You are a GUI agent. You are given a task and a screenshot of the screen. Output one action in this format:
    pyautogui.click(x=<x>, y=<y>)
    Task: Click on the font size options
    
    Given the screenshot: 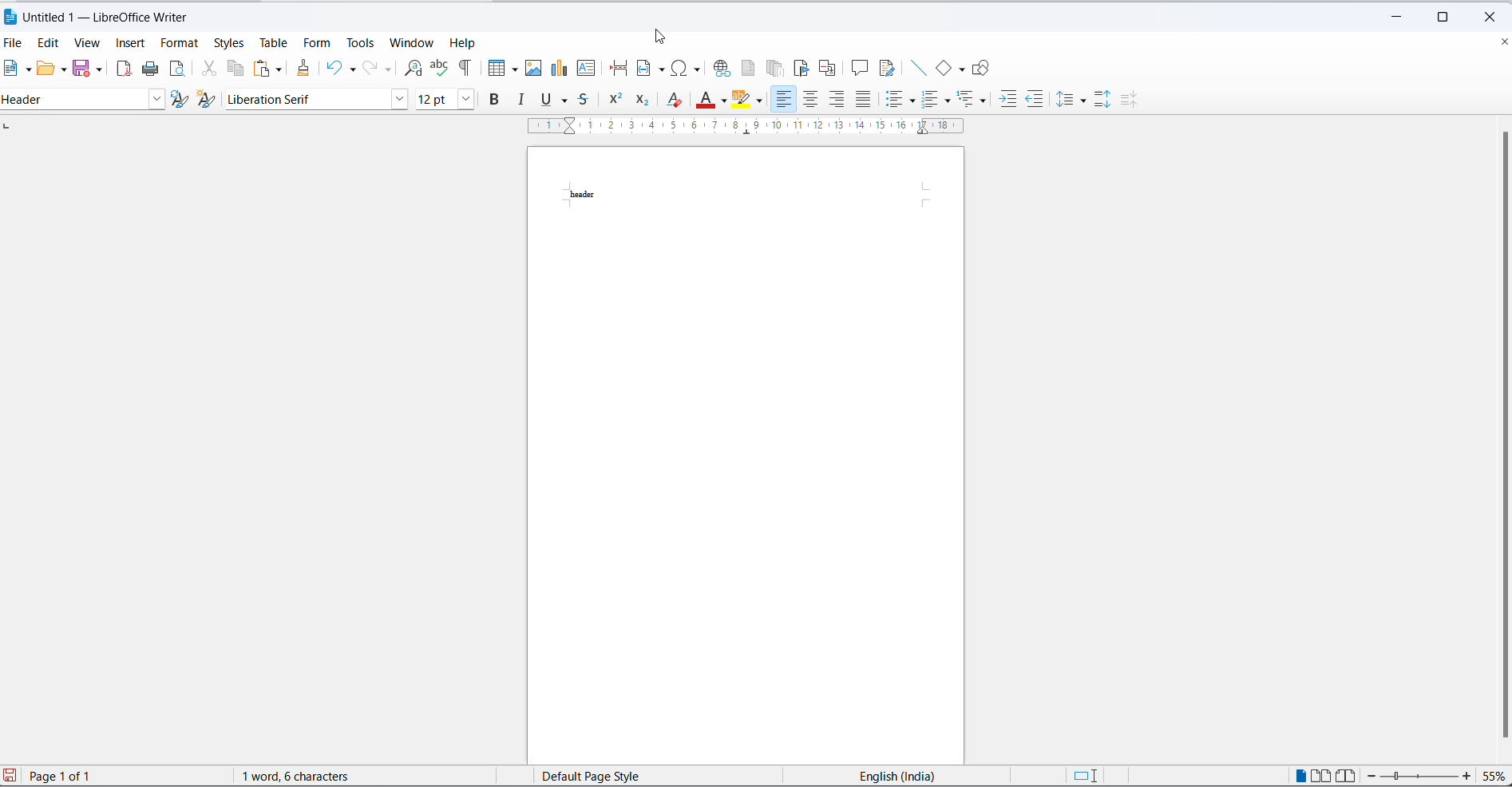 What is the action you would take?
    pyautogui.click(x=463, y=100)
    